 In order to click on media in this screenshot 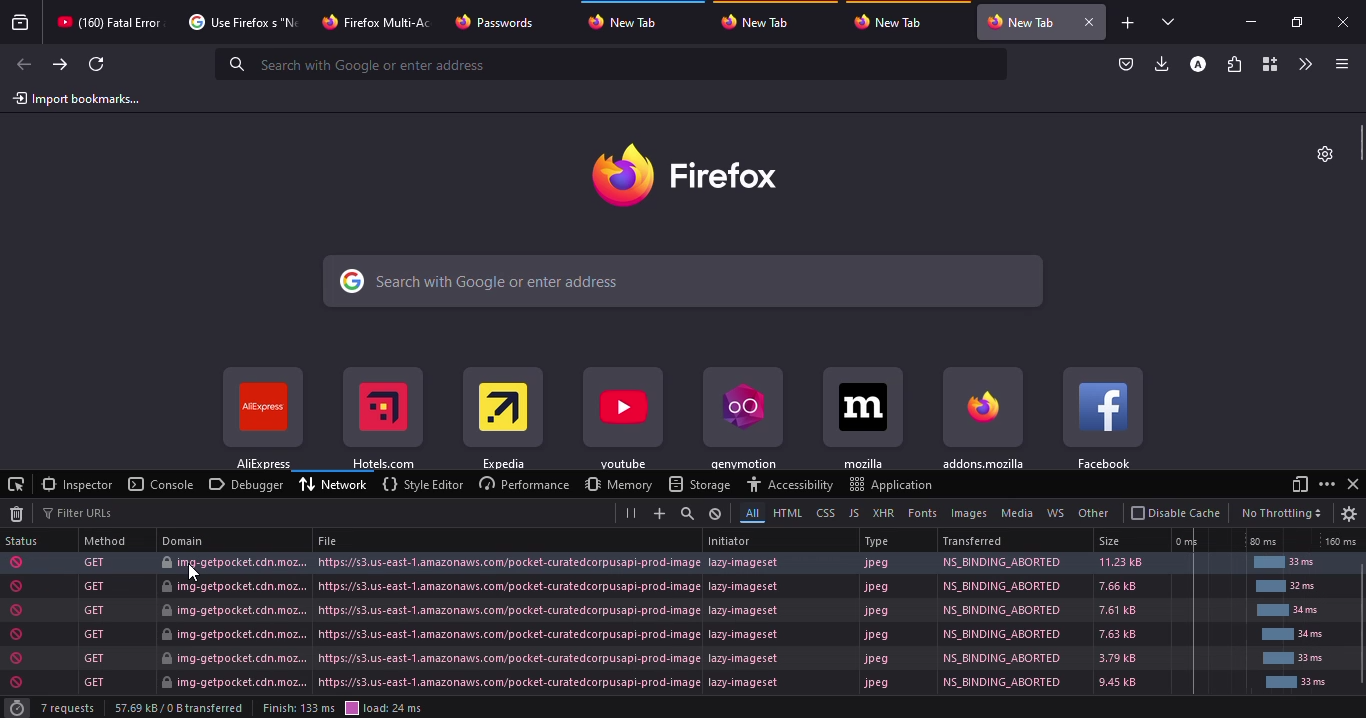, I will do `click(1014, 513)`.